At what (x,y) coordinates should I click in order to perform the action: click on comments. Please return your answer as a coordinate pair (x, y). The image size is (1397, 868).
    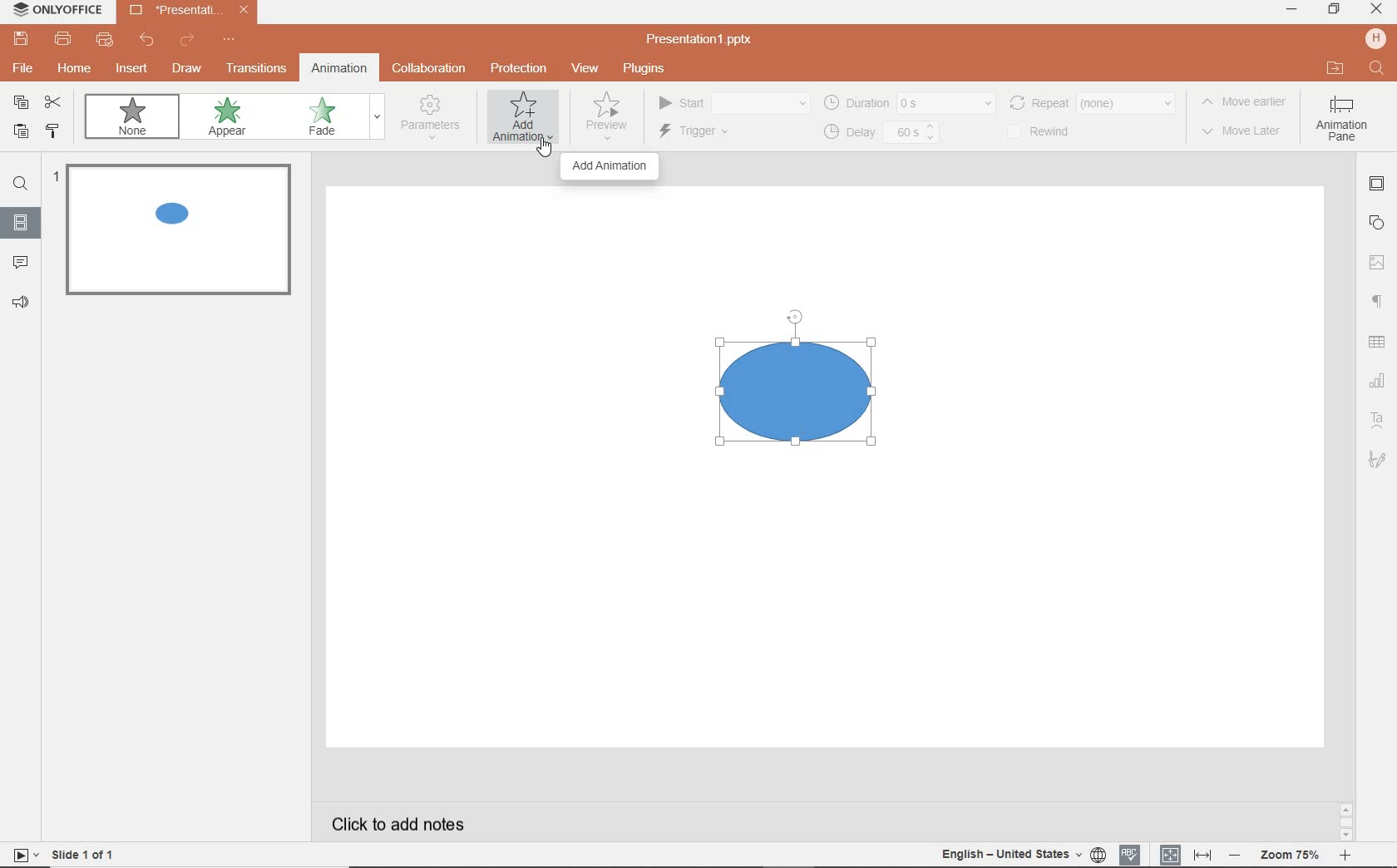
    Looking at the image, I should click on (22, 263).